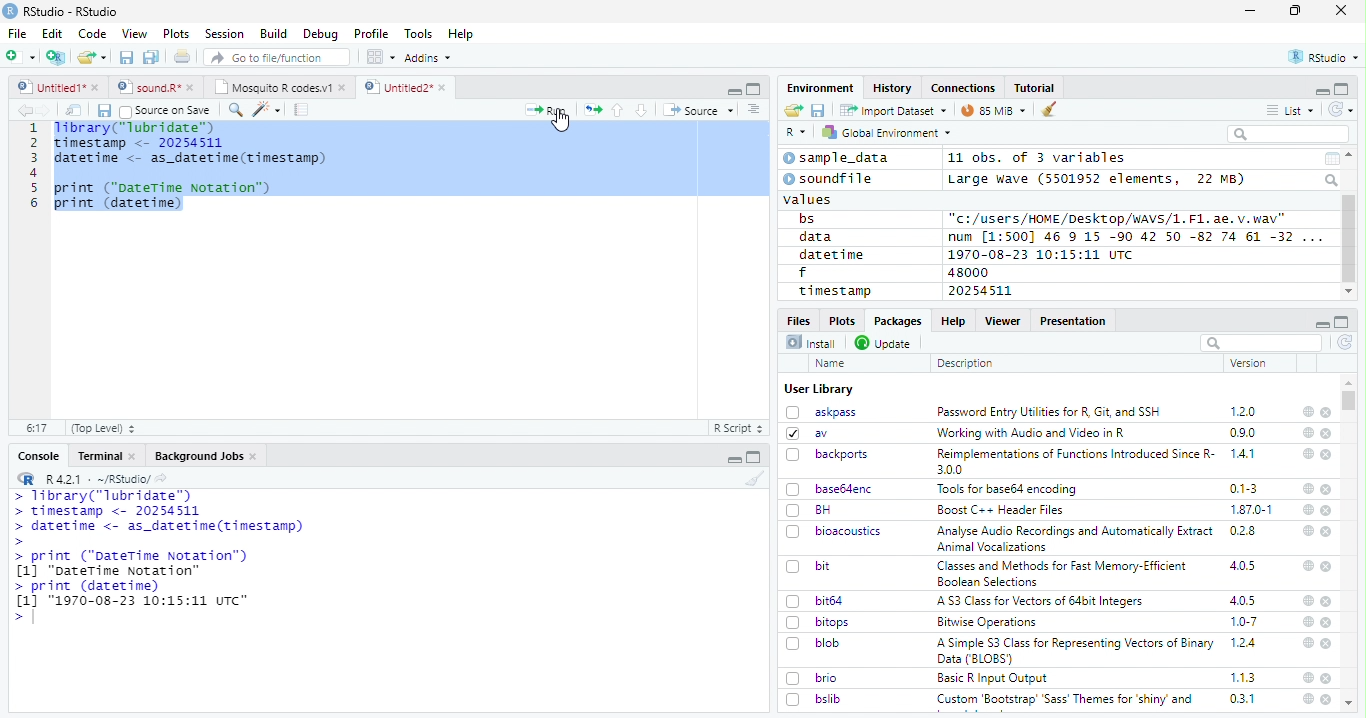  Describe the element at coordinates (96, 479) in the screenshot. I see `R 4.2.1 - ~/RStudio/` at that location.